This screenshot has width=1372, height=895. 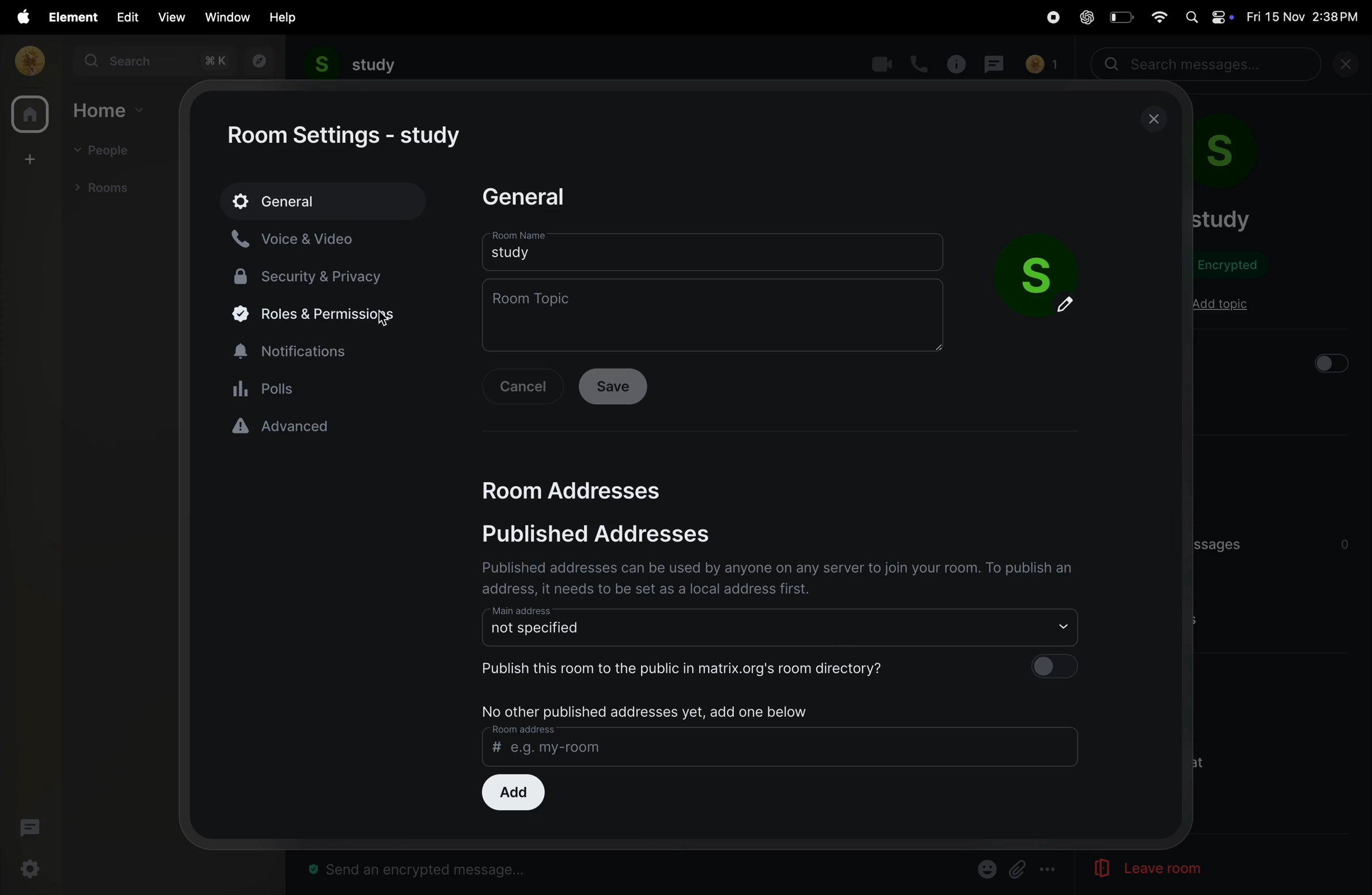 I want to click on profile, so click(x=26, y=60).